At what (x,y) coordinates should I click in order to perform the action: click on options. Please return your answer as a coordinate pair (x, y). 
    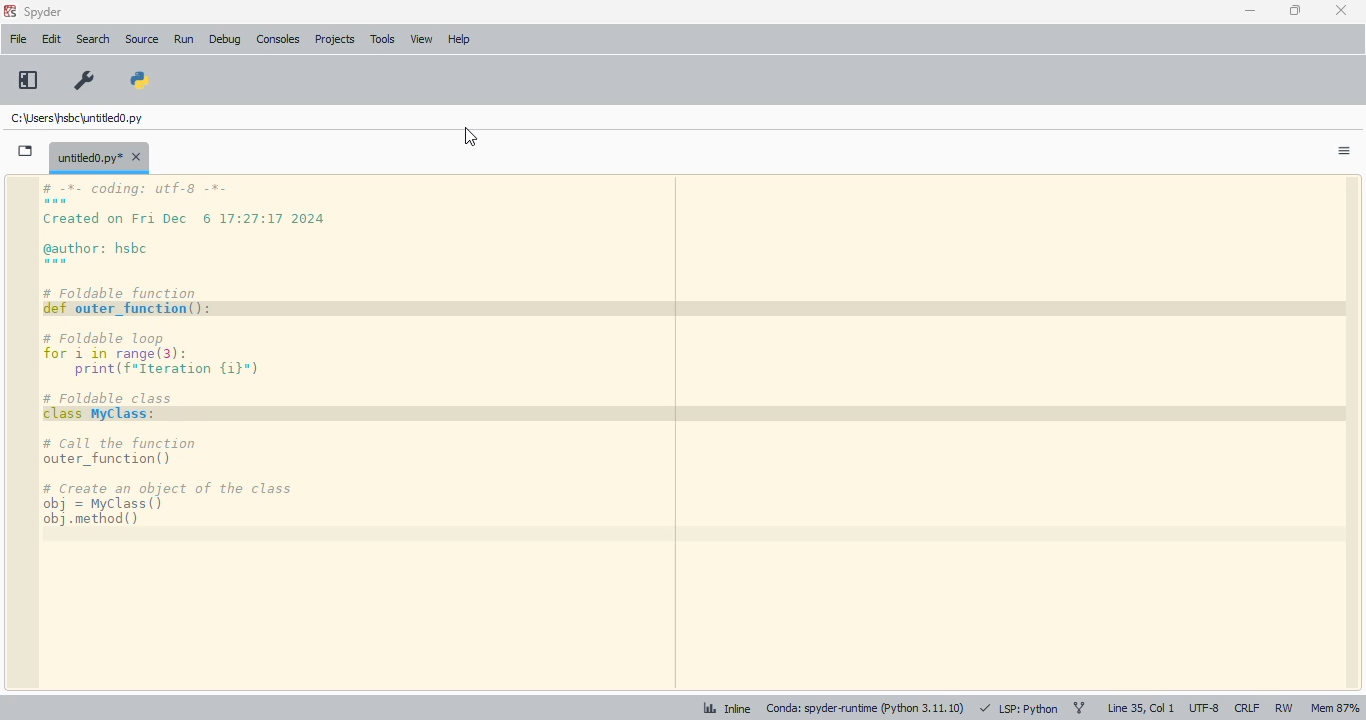
    Looking at the image, I should click on (1326, 156).